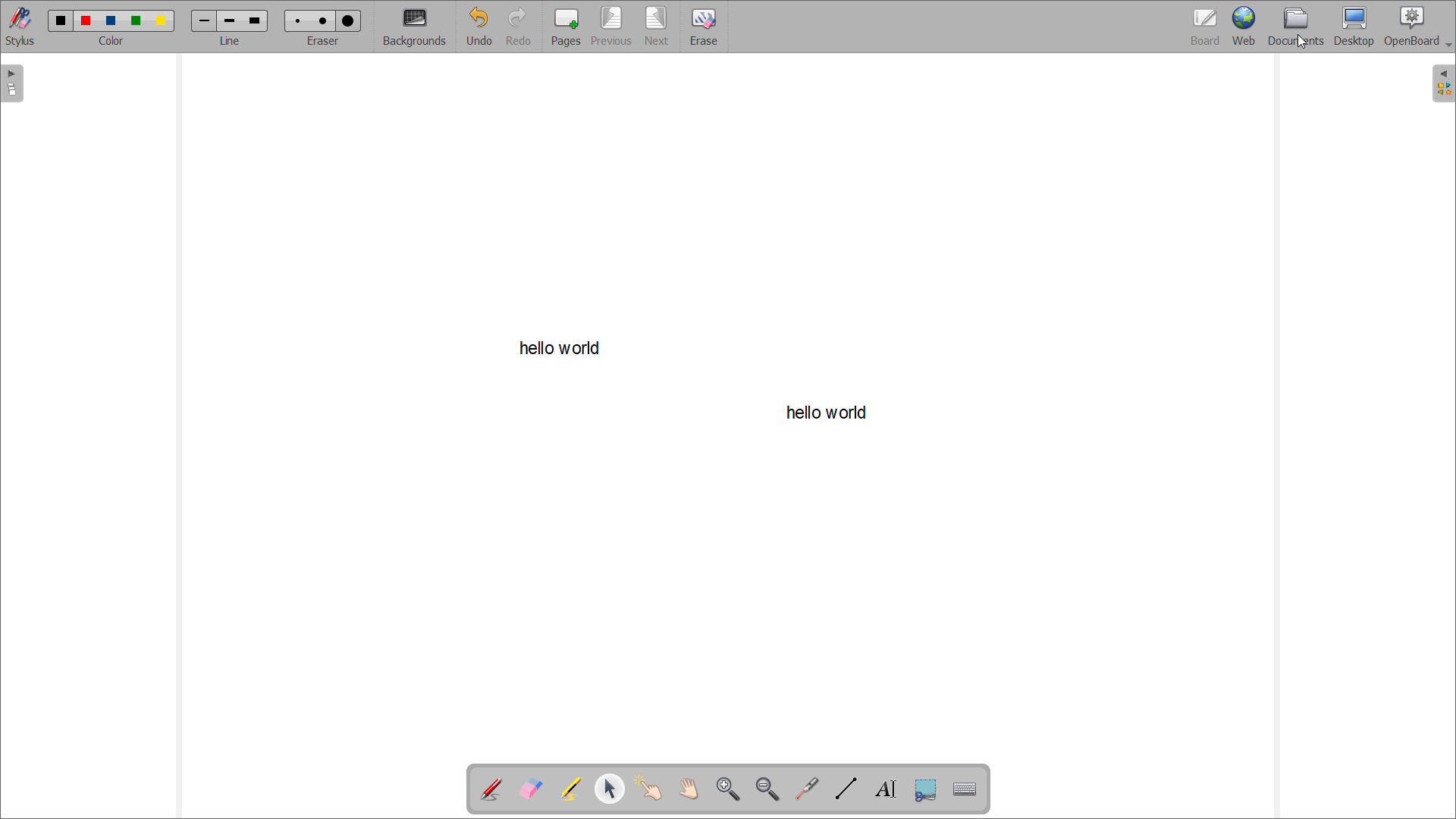 This screenshot has width=1456, height=819. Describe the element at coordinates (1354, 27) in the screenshot. I see `desktop` at that location.